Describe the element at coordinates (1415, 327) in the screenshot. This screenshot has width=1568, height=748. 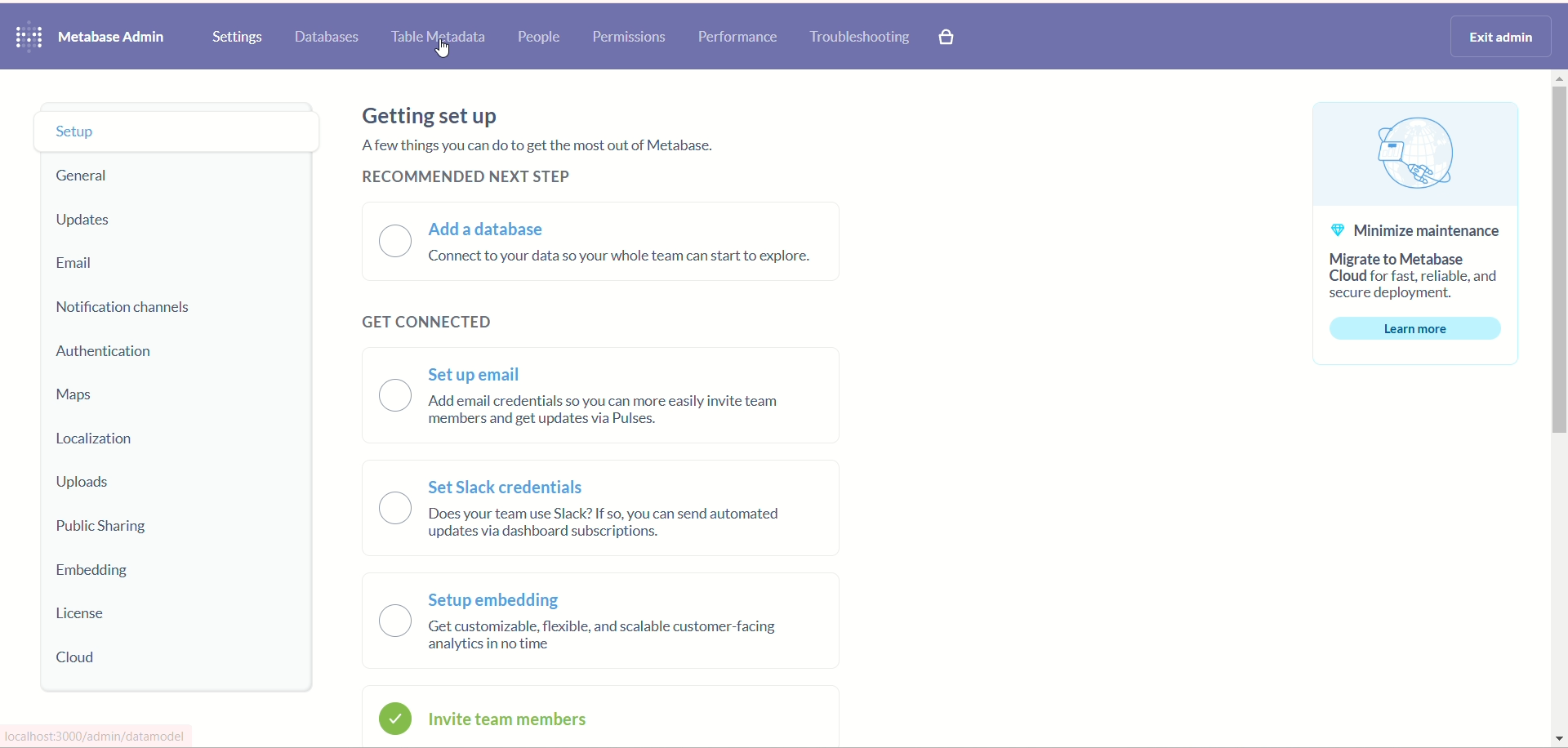
I see `learn more` at that location.